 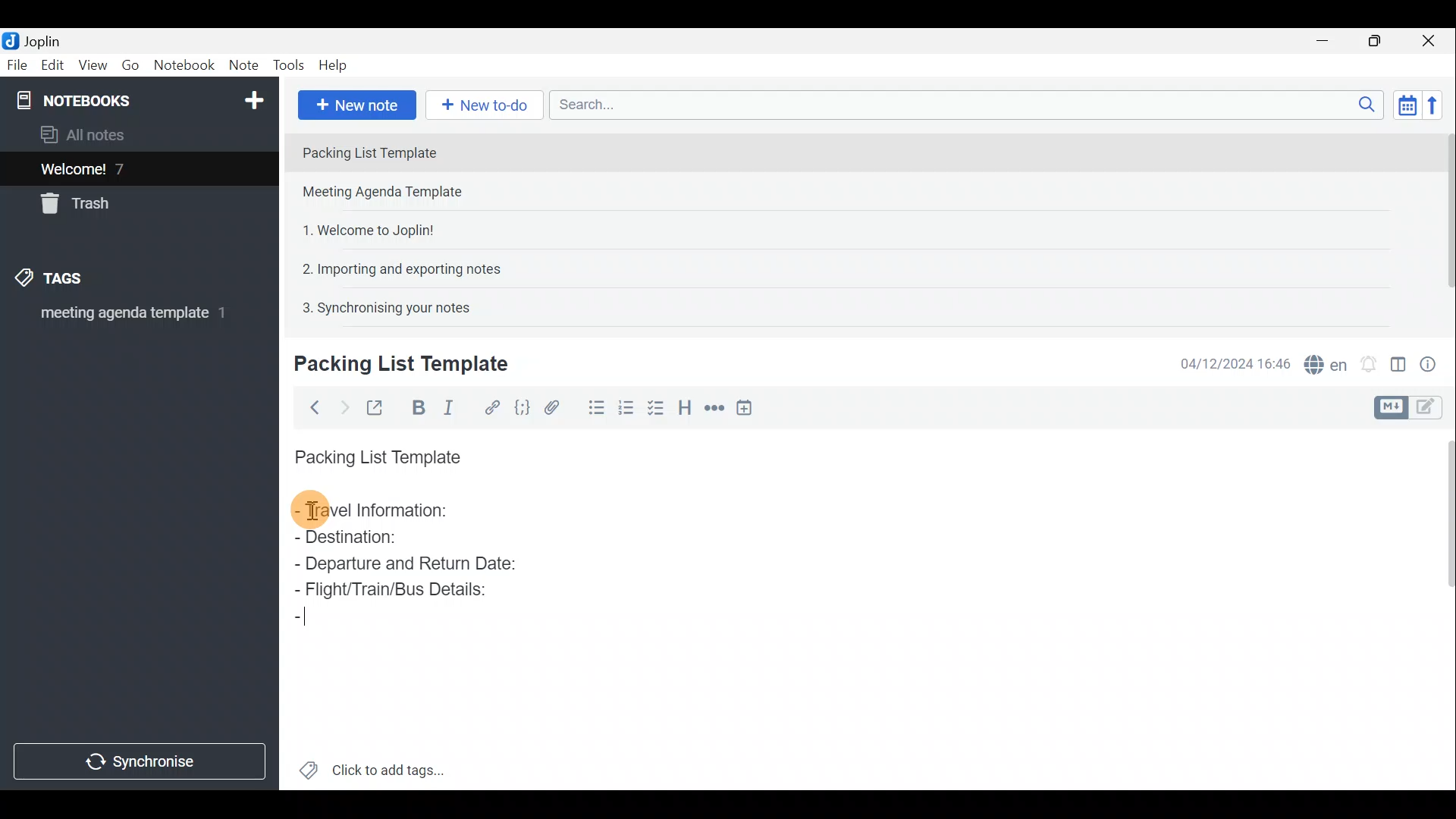 What do you see at coordinates (454, 407) in the screenshot?
I see `Italic` at bounding box center [454, 407].